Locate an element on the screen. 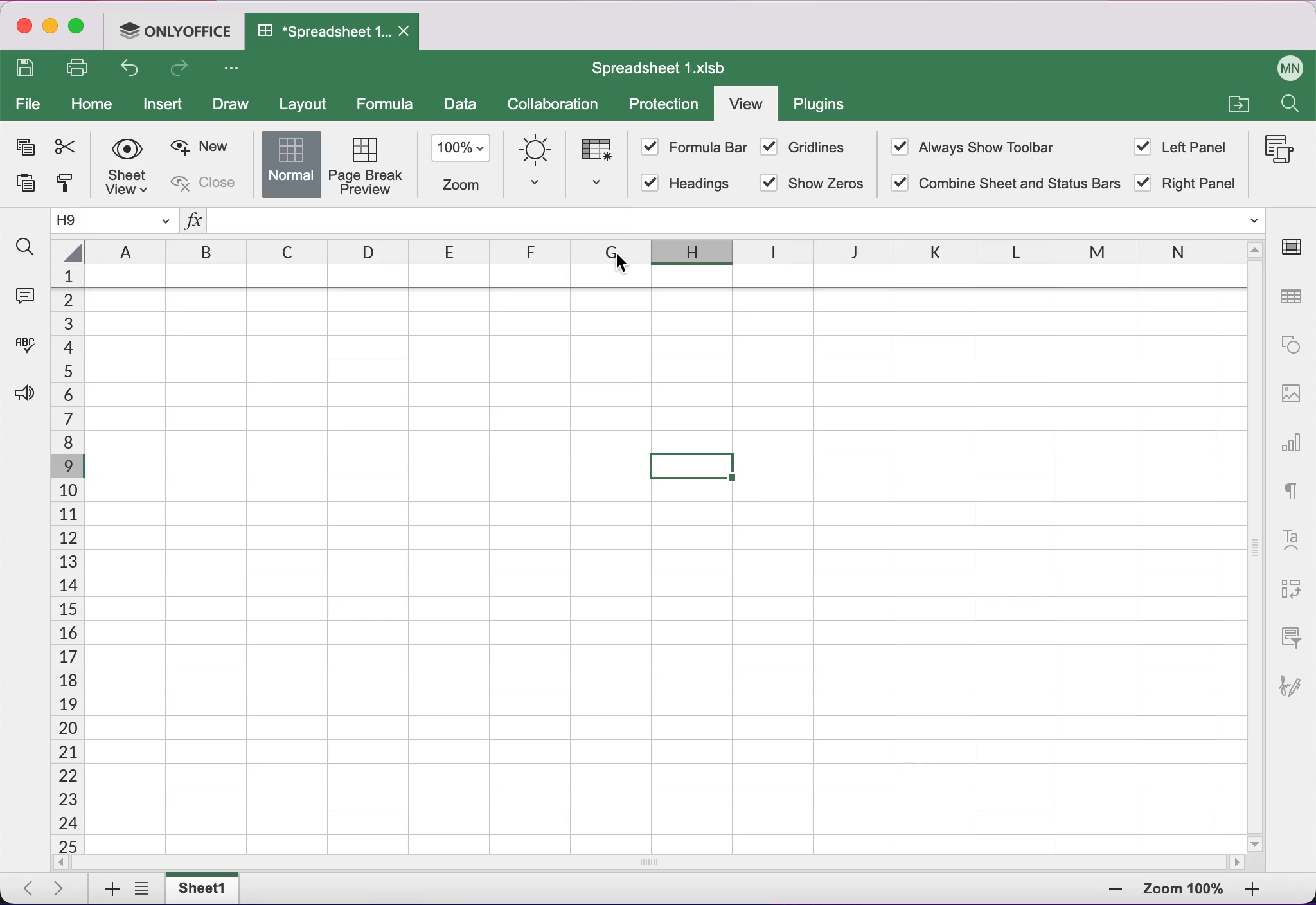  chart is located at coordinates (540, 163).